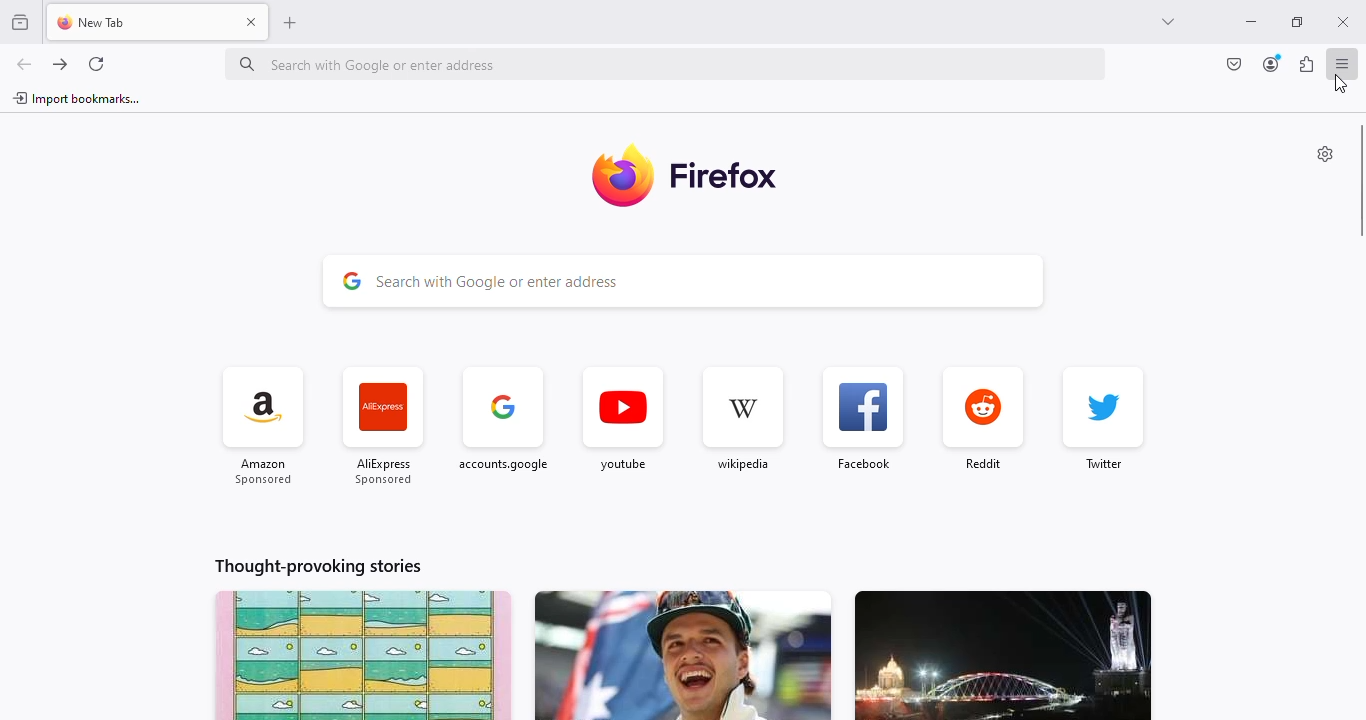 The image size is (1366, 720). I want to click on view recent browsing across windows and devices, so click(20, 21).